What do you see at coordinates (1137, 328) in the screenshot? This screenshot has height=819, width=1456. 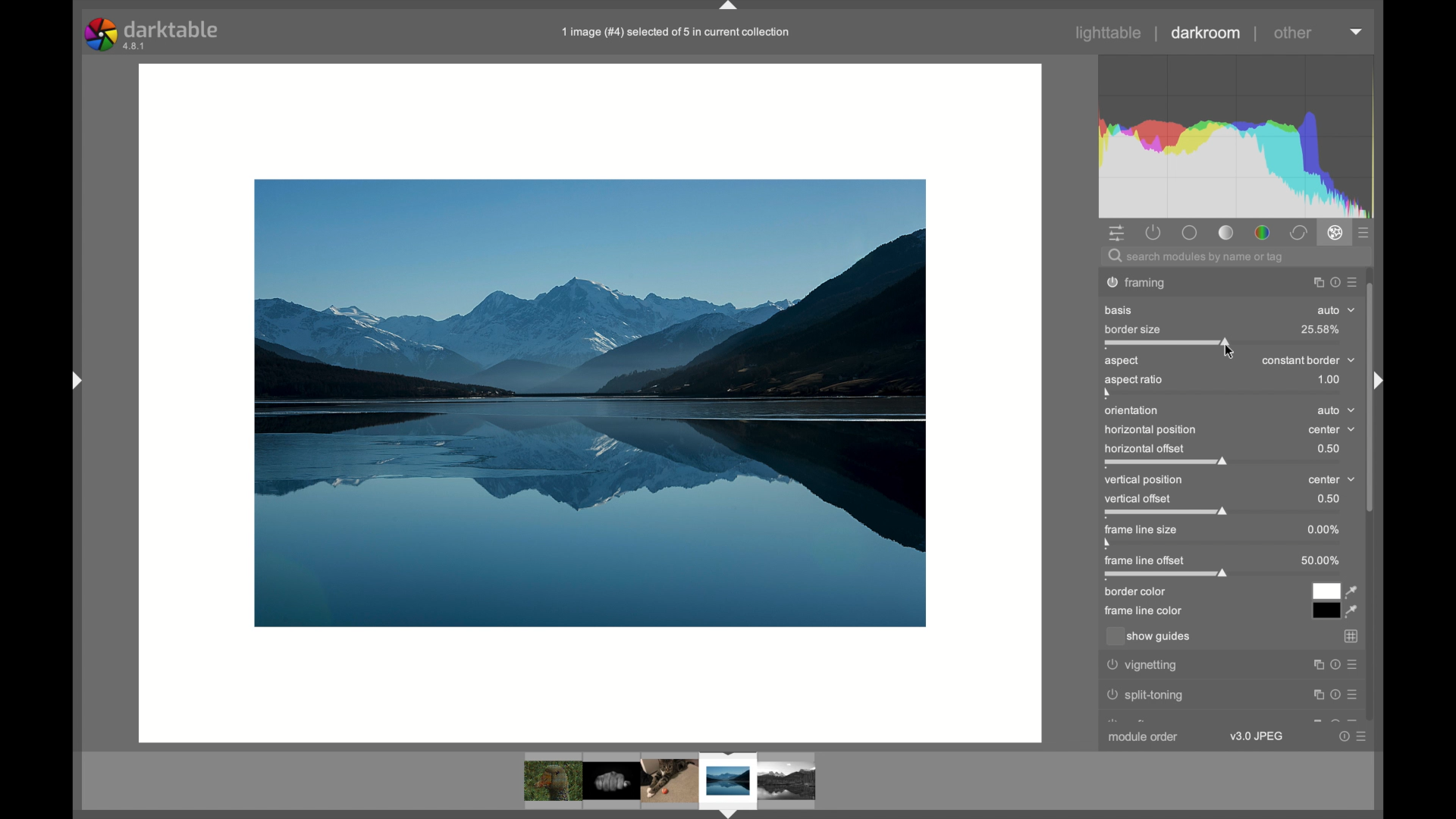 I see `border size` at bounding box center [1137, 328].